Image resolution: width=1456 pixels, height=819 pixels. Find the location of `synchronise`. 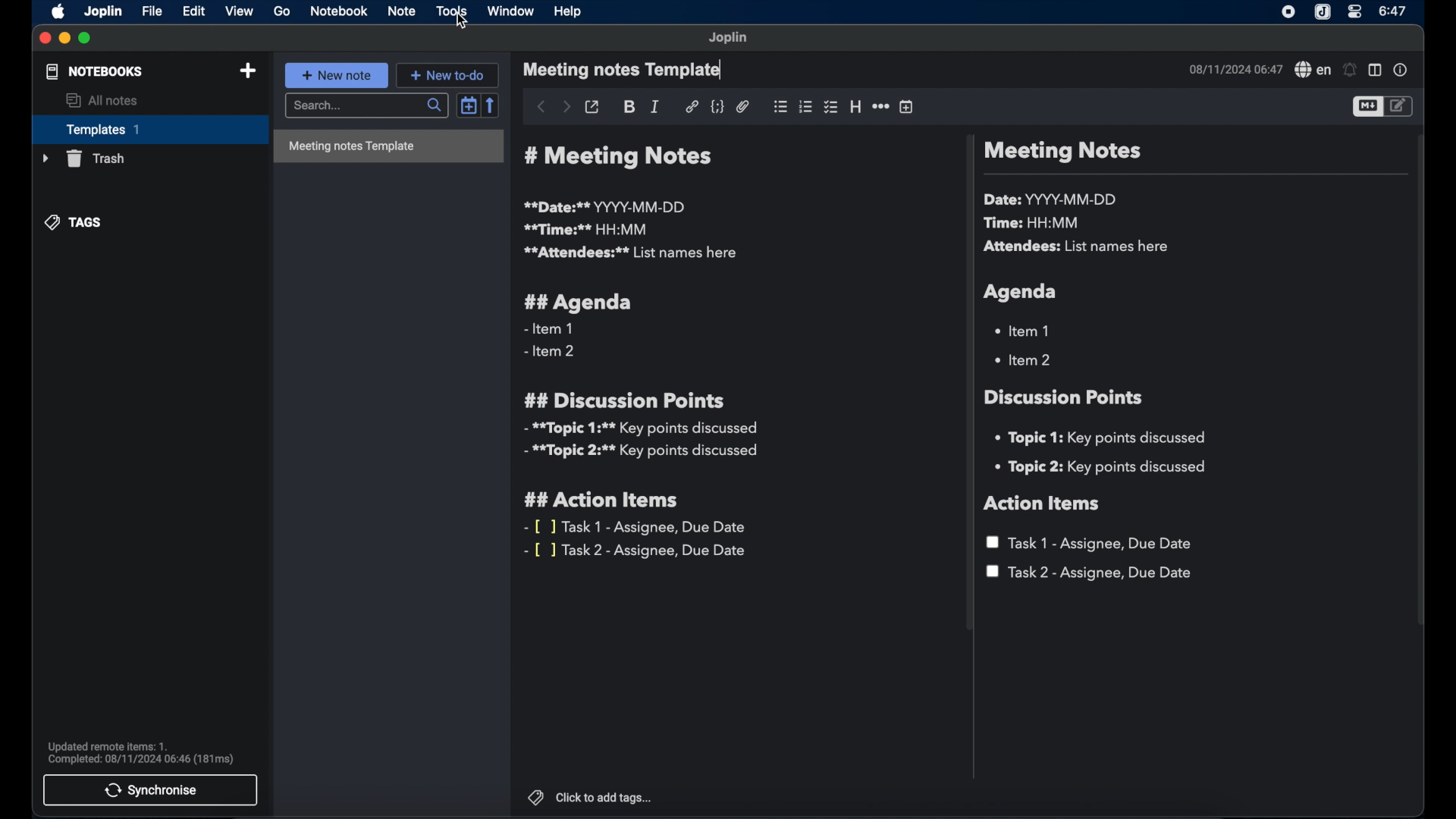

synchronise is located at coordinates (152, 790).